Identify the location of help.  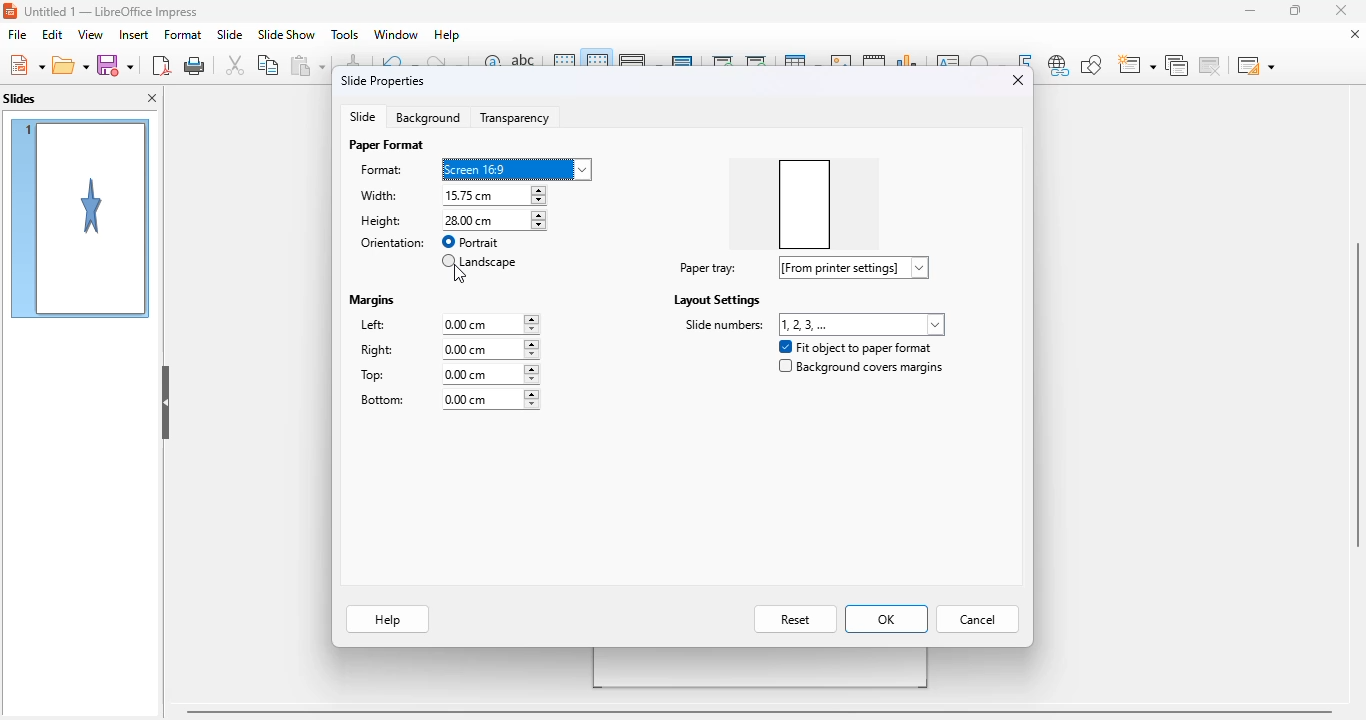
(447, 35).